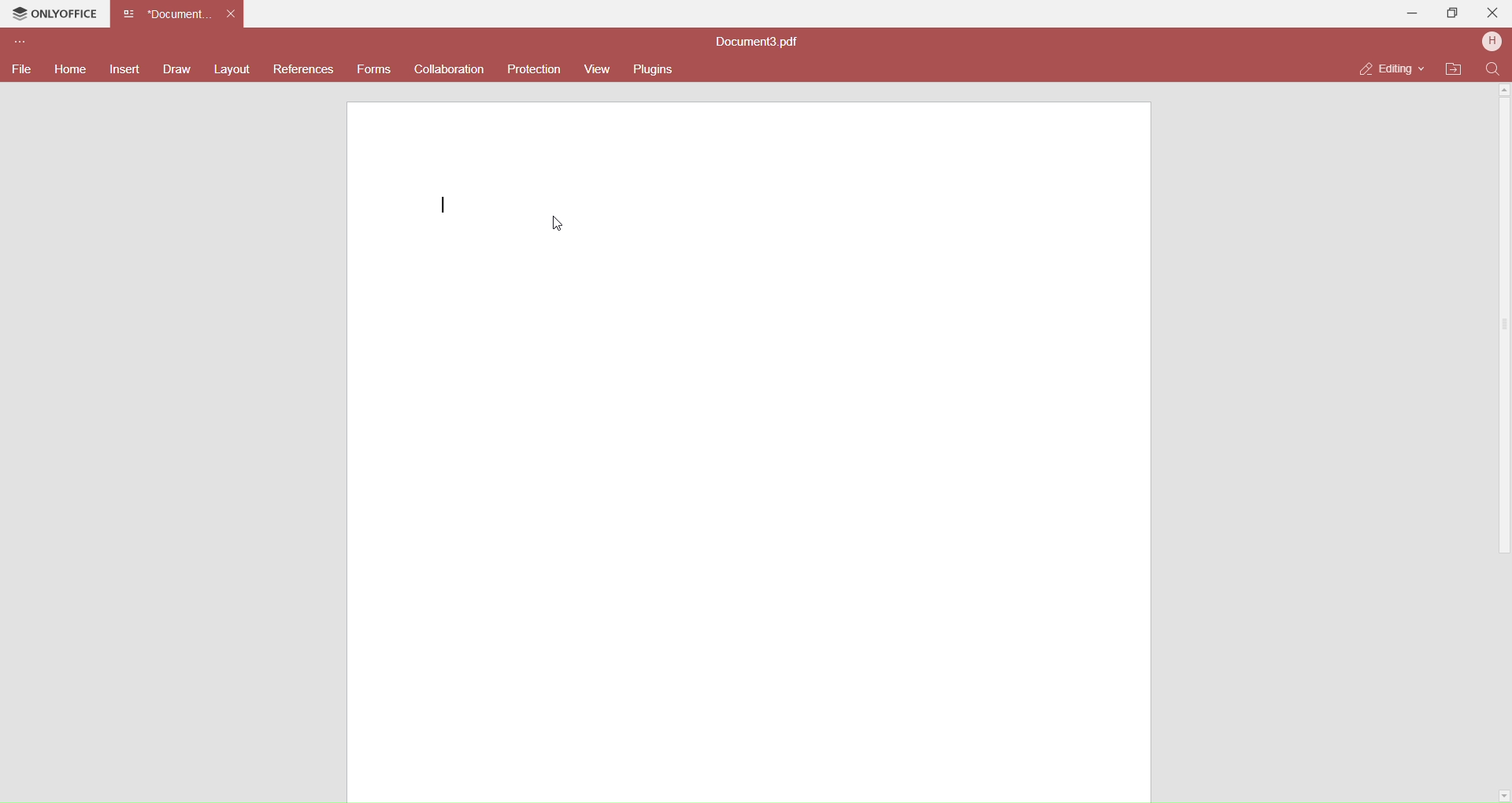 The height and width of the screenshot is (803, 1512). What do you see at coordinates (18, 44) in the screenshot?
I see `Customize Toolbar` at bounding box center [18, 44].